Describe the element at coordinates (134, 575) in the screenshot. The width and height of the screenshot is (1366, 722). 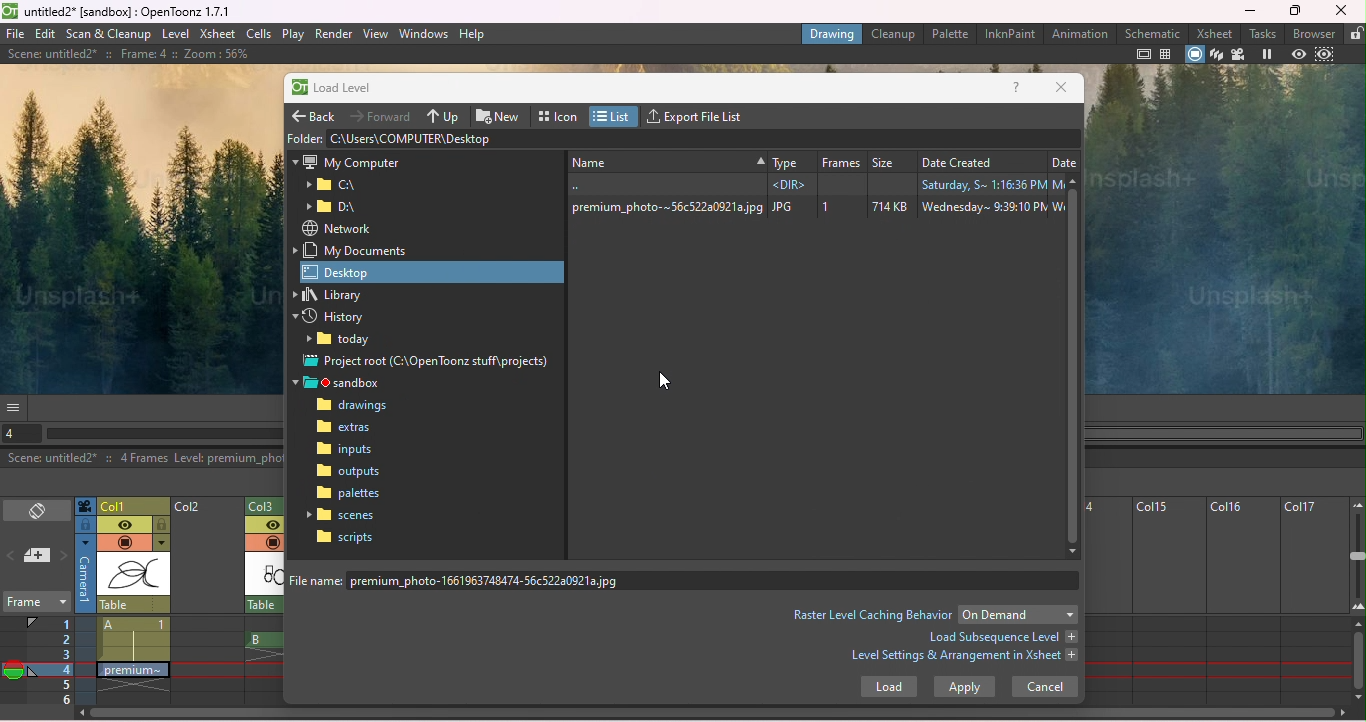
I see `scene` at that location.